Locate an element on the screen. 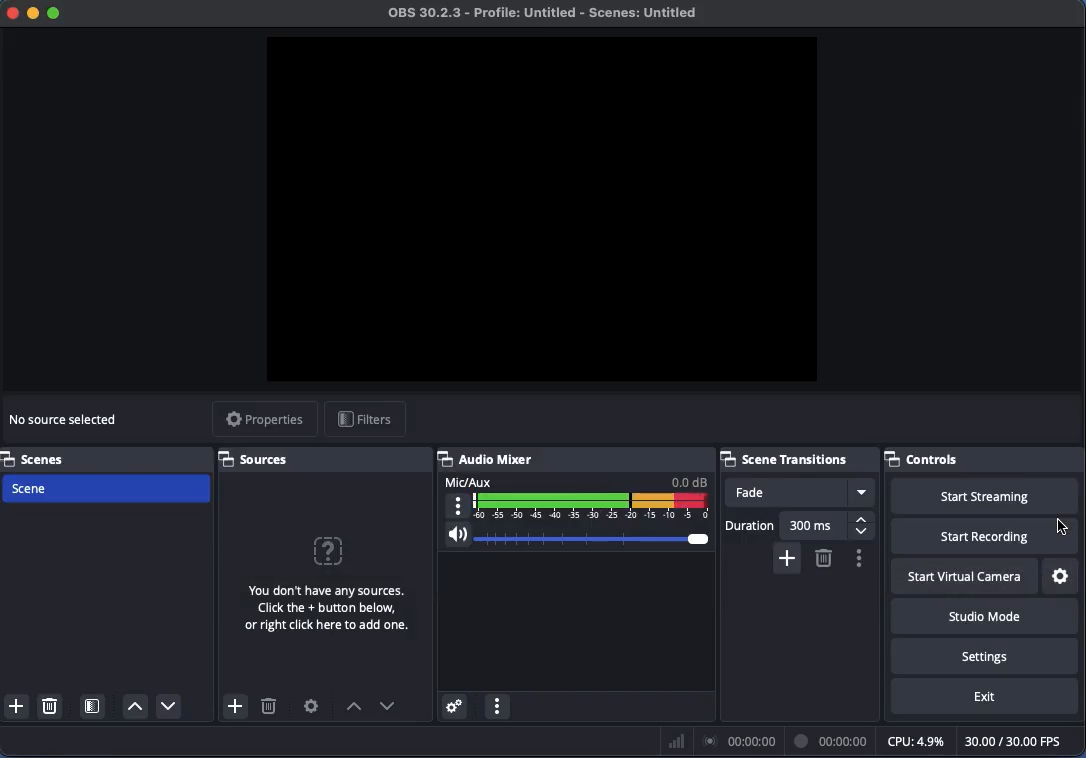 This screenshot has width=1086, height=758. Move down is located at coordinates (388, 706).